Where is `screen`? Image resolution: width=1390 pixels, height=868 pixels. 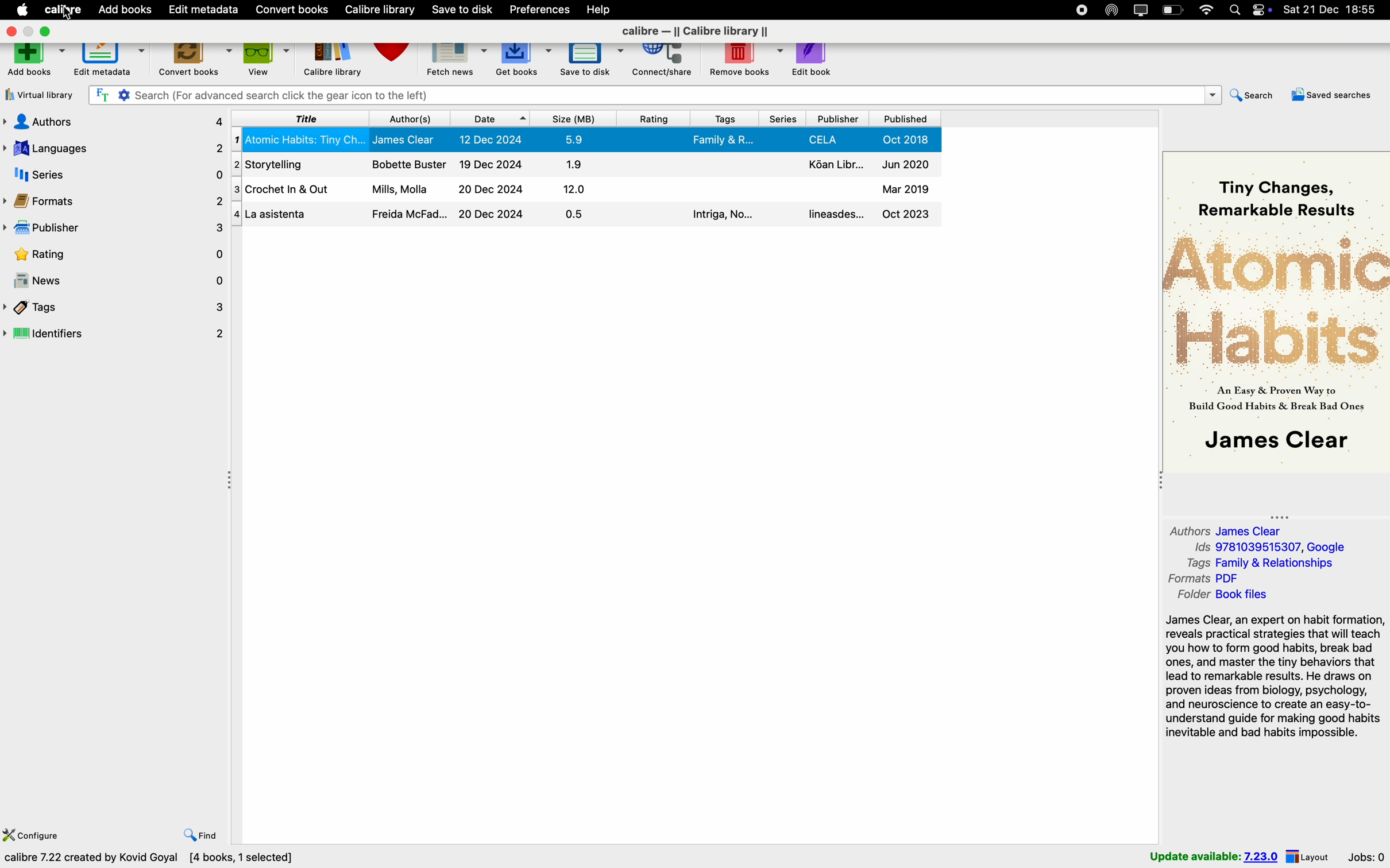
screen is located at coordinates (1141, 10).